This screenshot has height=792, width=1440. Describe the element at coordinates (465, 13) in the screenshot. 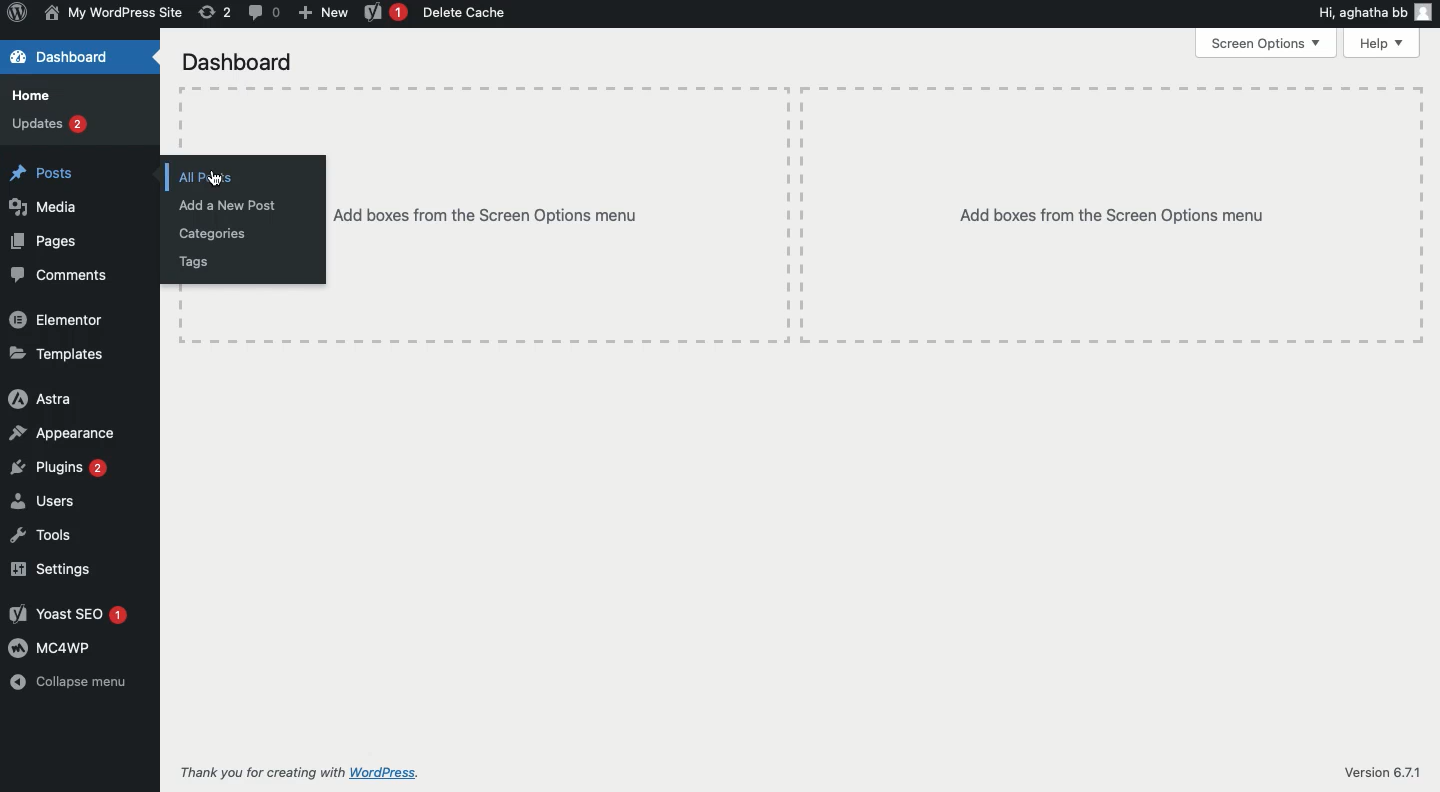

I see `Delete cache` at that location.